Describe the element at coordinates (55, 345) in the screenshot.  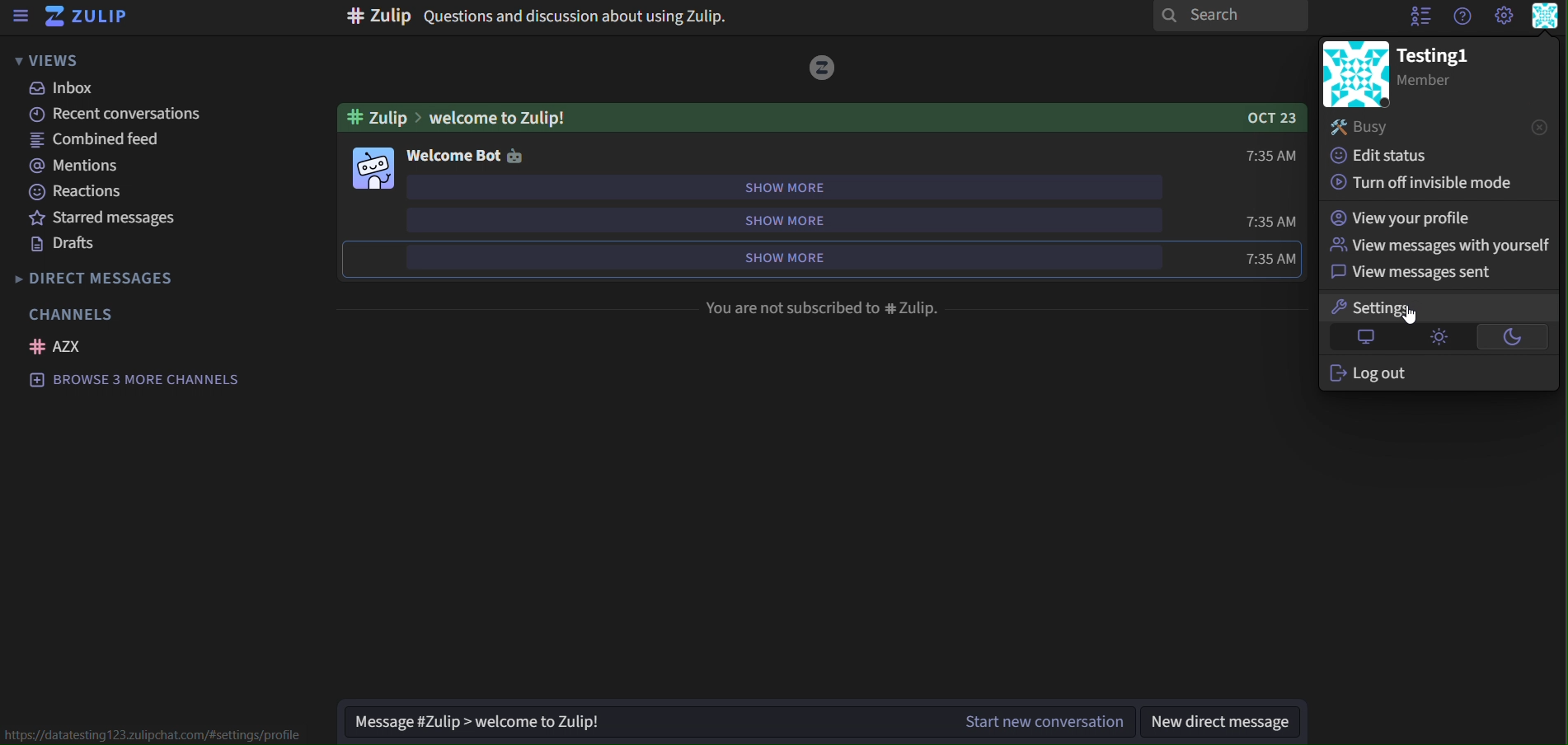
I see `AZX` at that location.